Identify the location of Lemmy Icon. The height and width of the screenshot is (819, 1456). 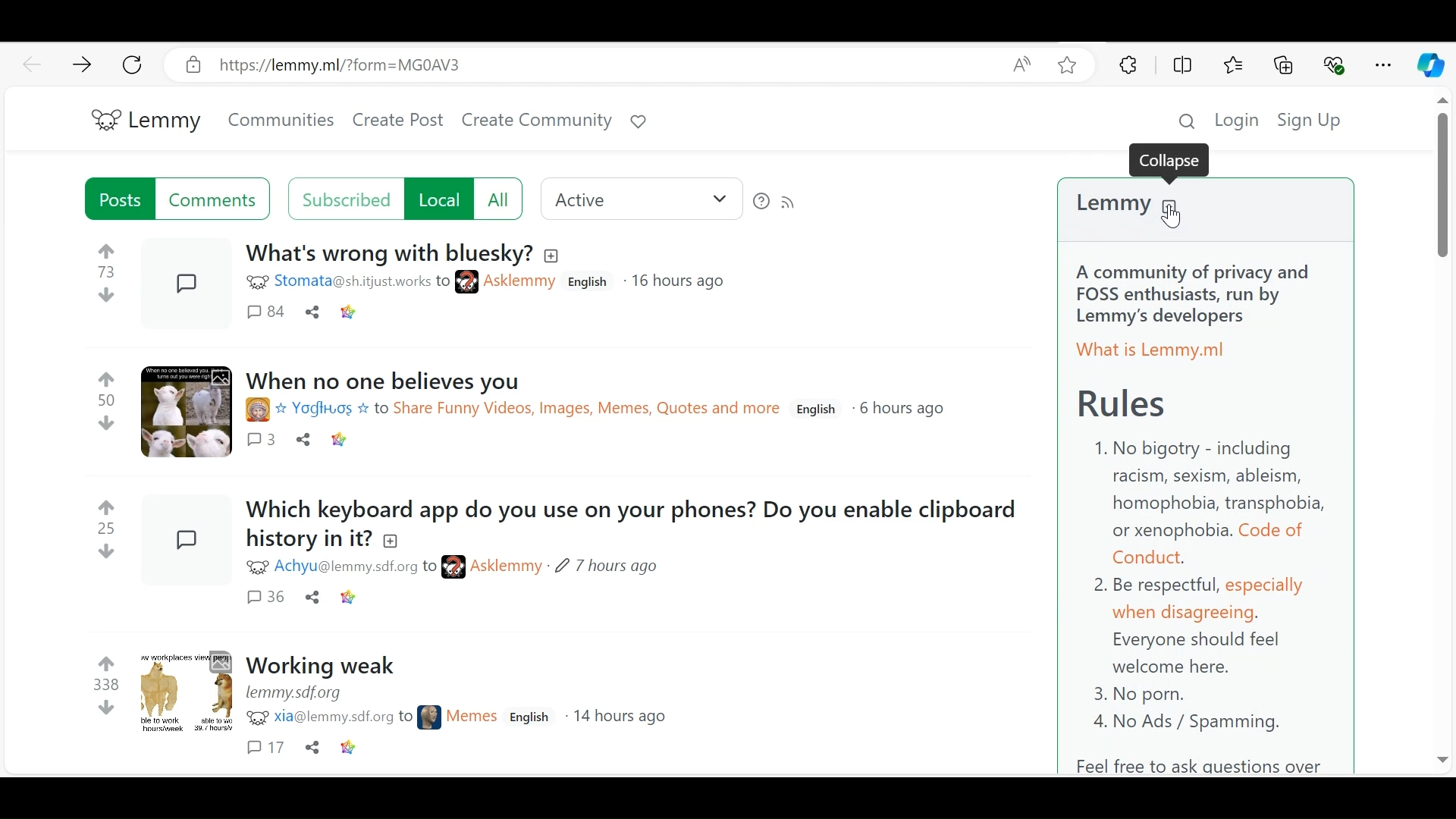
(96, 117).